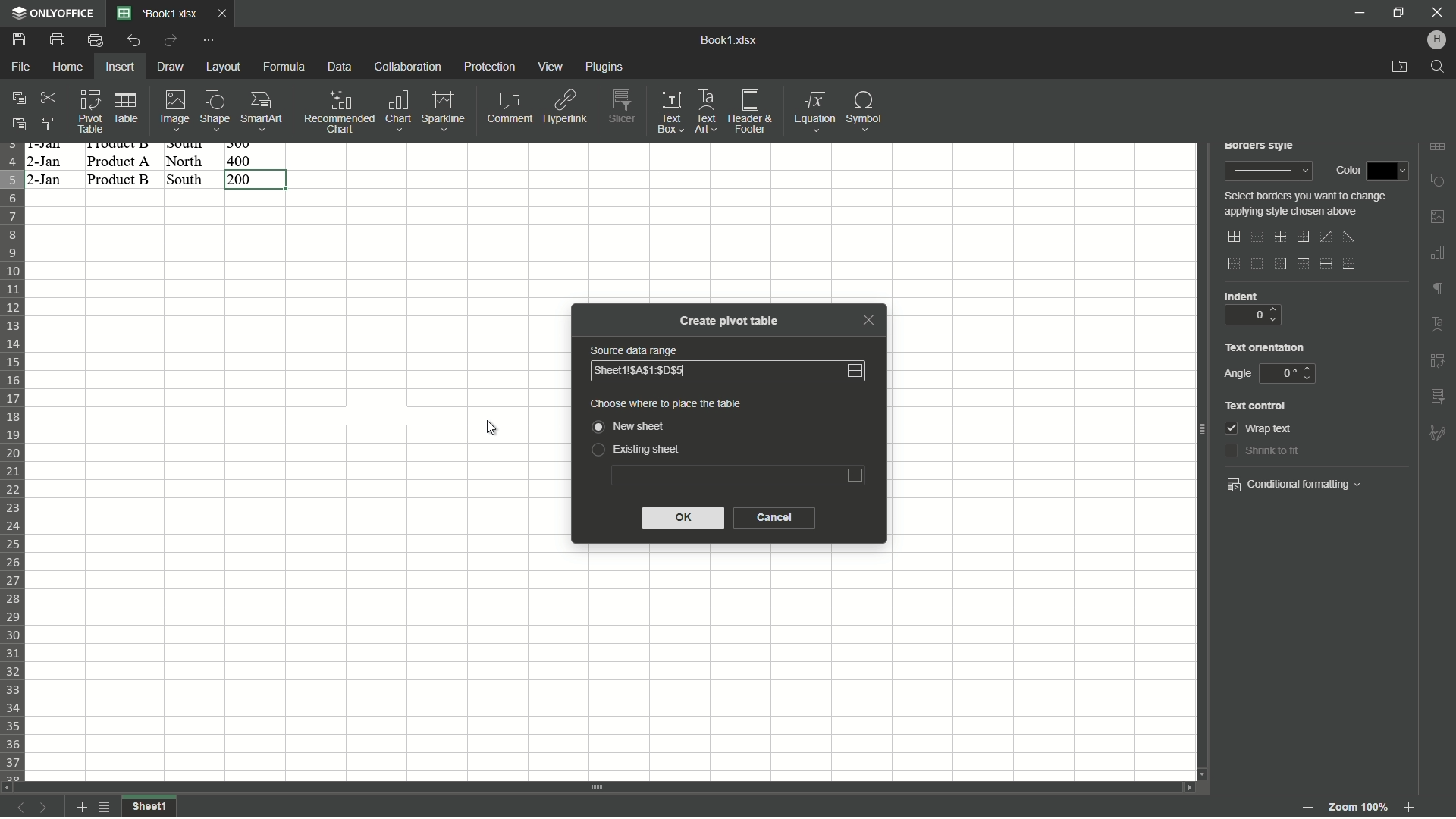  Describe the element at coordinates (706, 111) in the screenshot. I see `Text art` at that location.